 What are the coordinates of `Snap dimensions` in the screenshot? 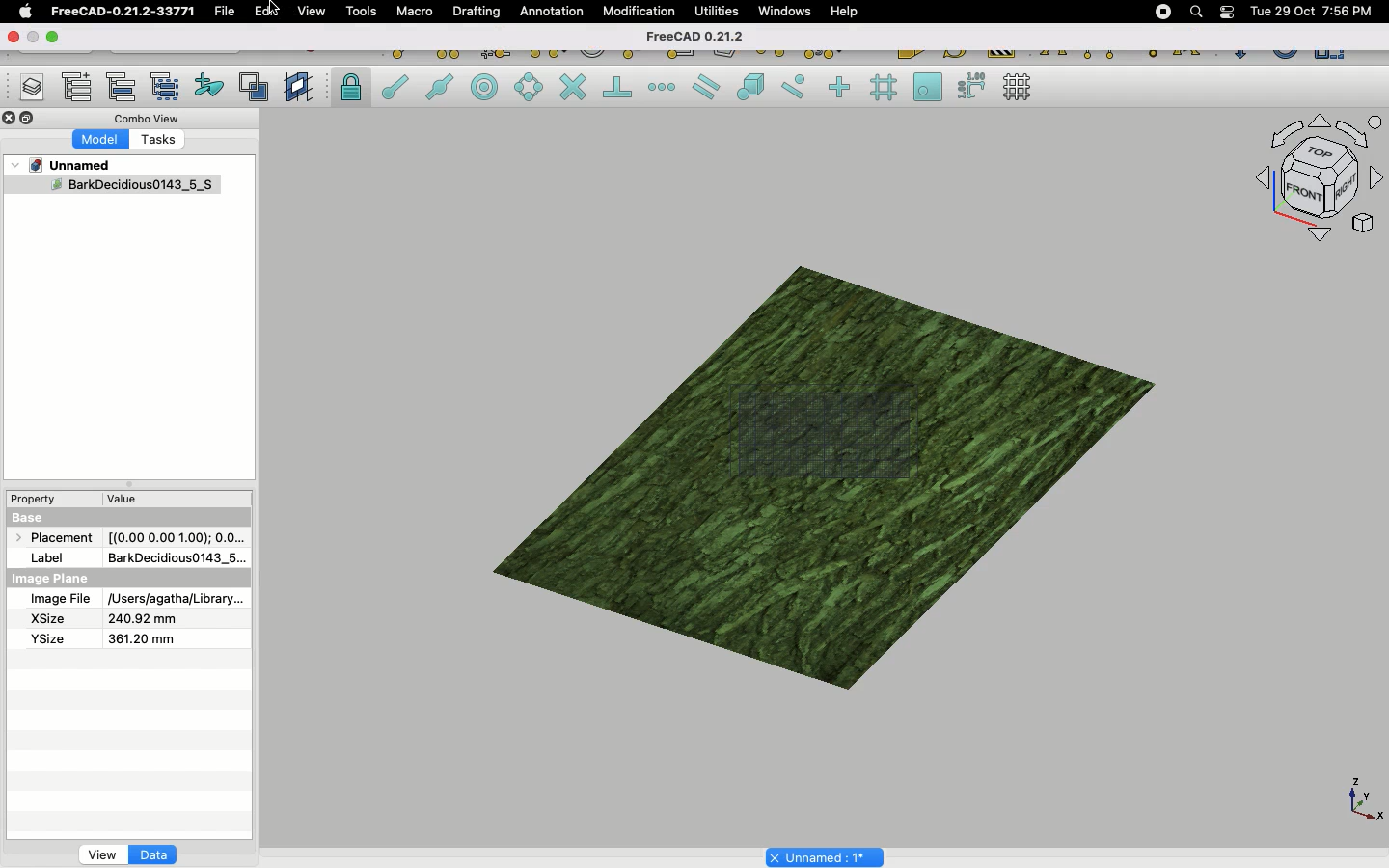 It's located at (972, 87).